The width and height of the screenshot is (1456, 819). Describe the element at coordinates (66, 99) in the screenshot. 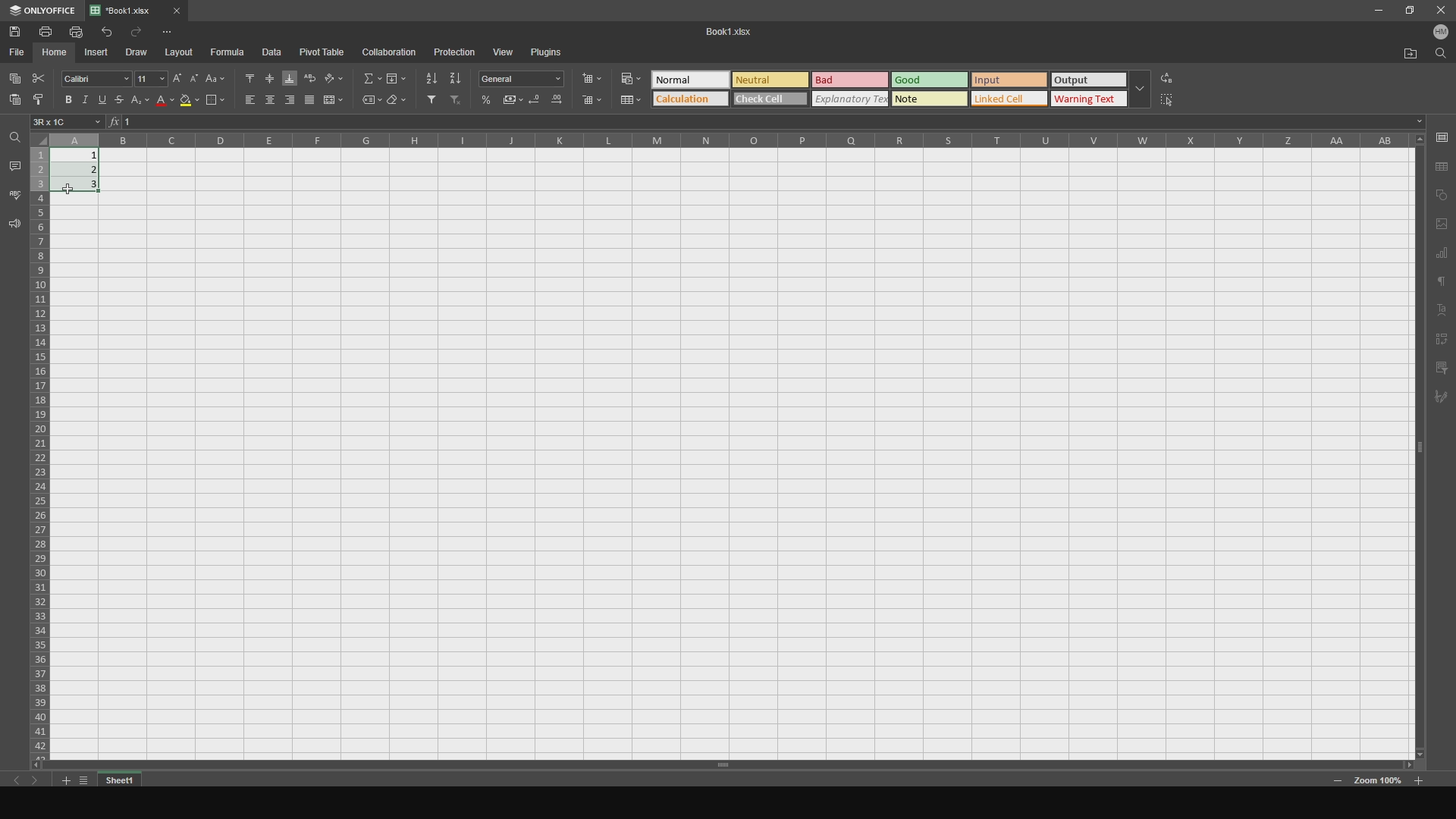

I see `bold` at that location.